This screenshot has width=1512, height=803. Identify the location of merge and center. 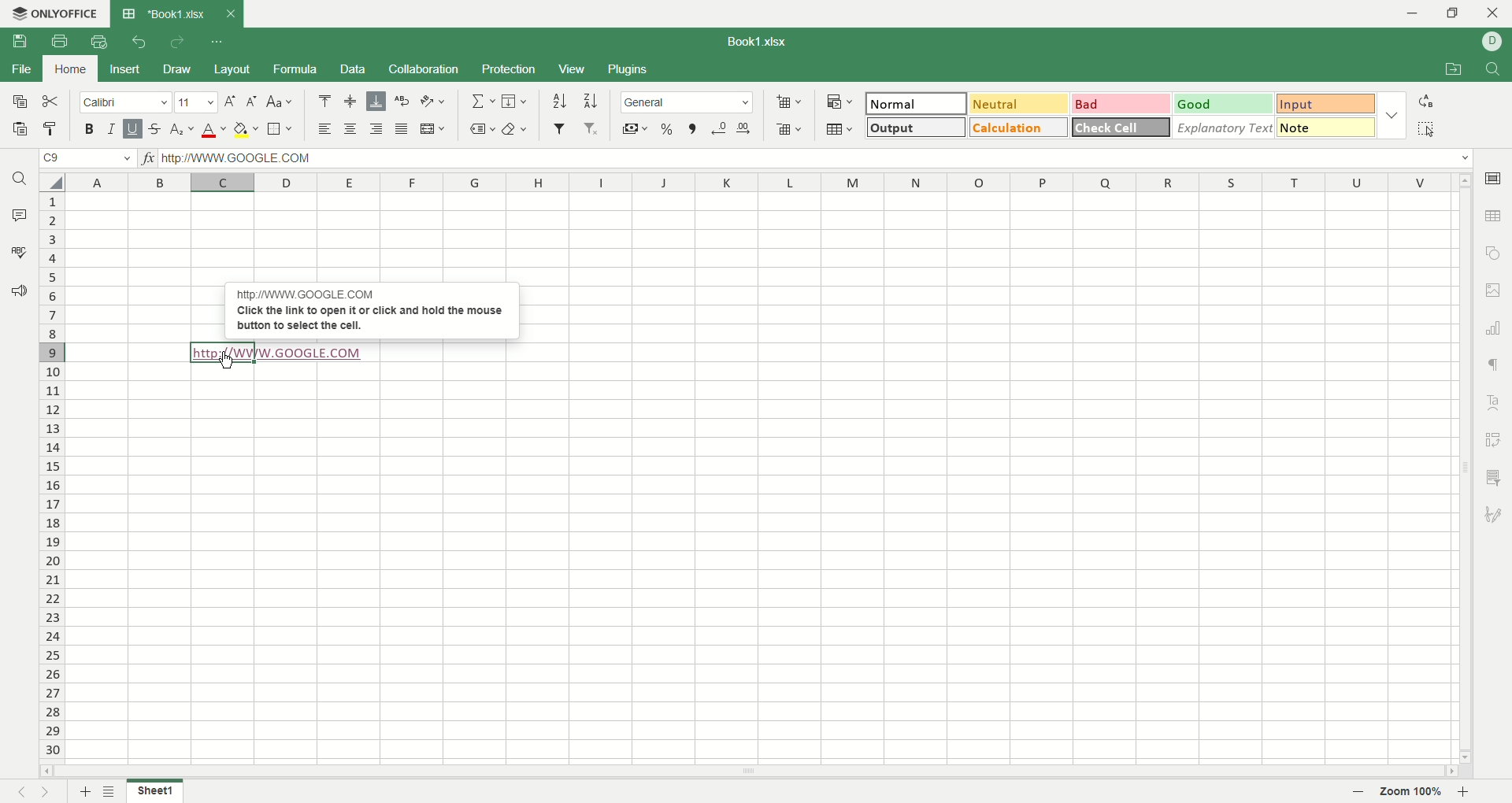
(432, 130).